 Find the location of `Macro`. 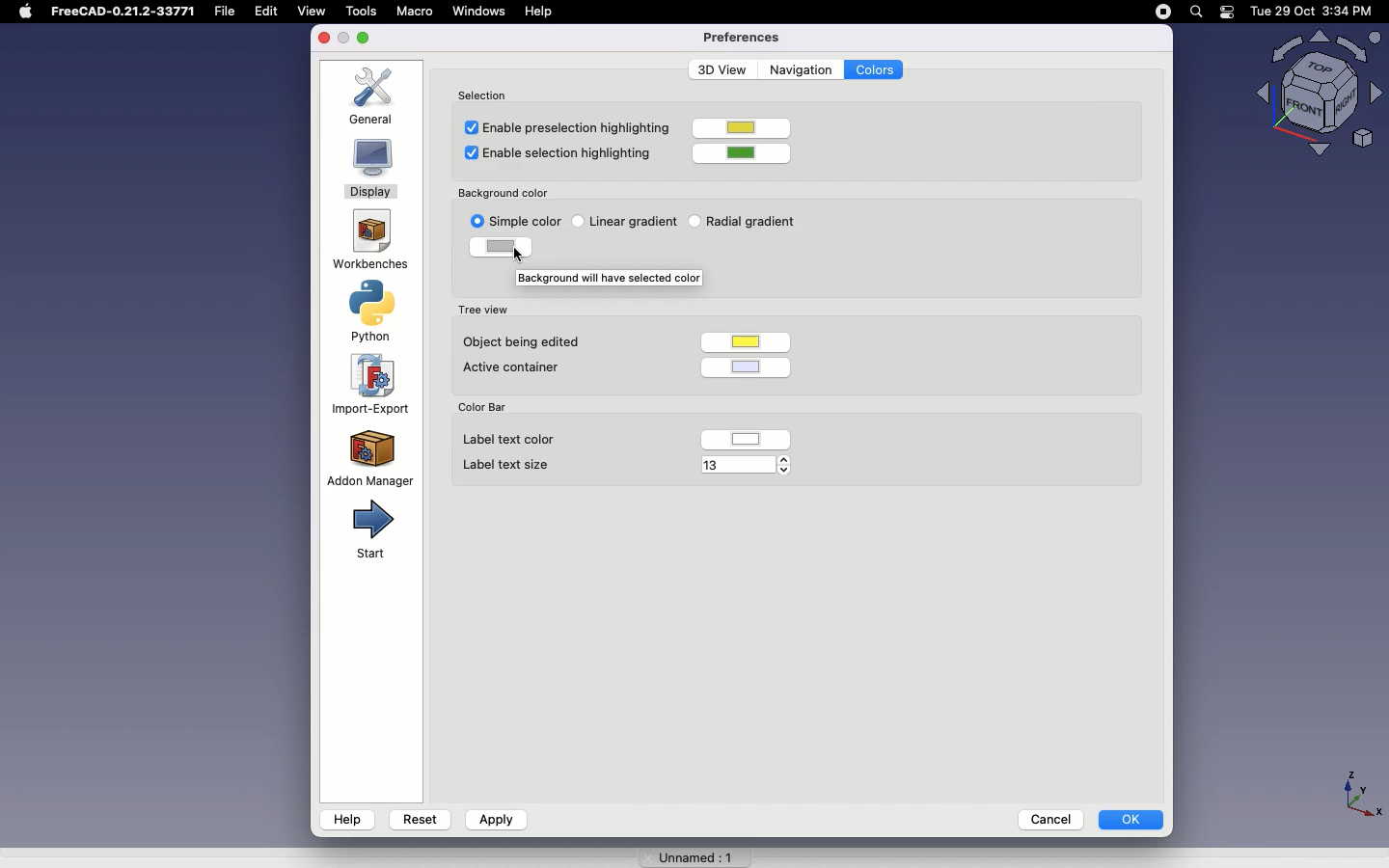

Macro is located at coordinates (414, 11).